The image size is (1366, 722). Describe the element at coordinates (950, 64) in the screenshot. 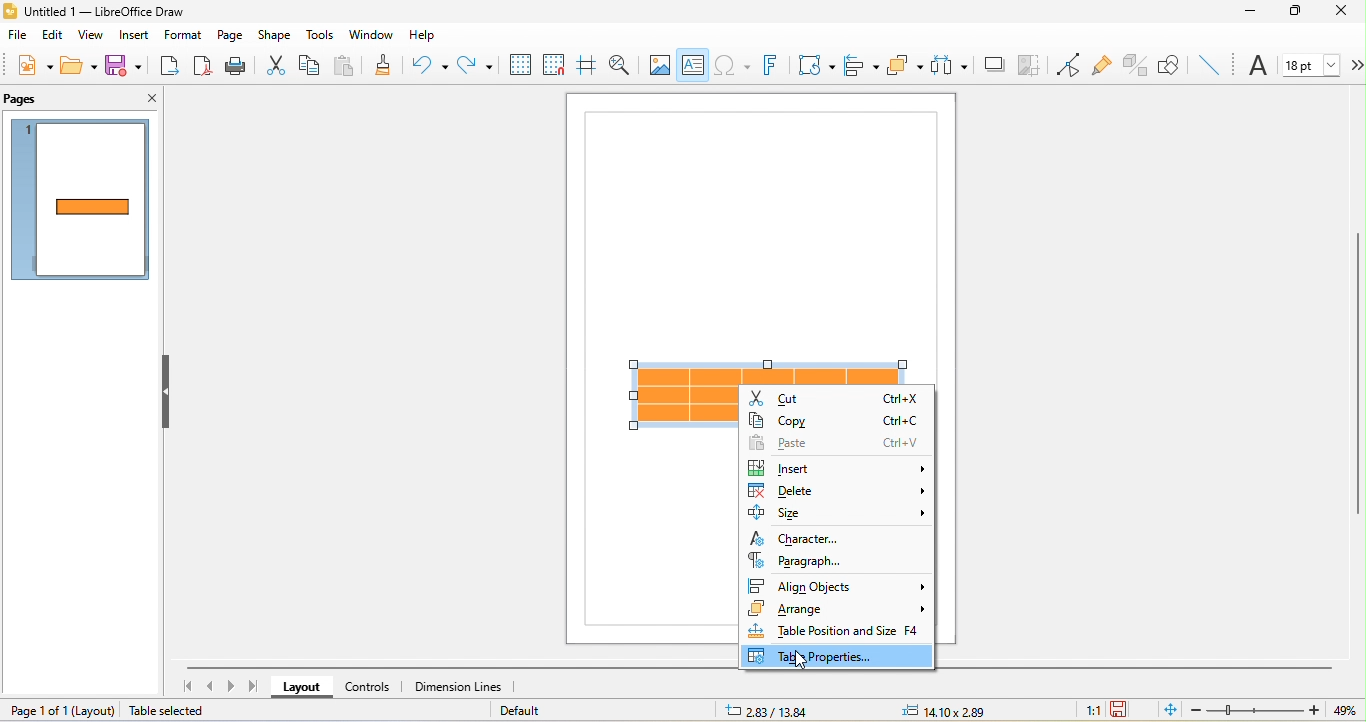

I see `select at least three object to distribute` at that location.